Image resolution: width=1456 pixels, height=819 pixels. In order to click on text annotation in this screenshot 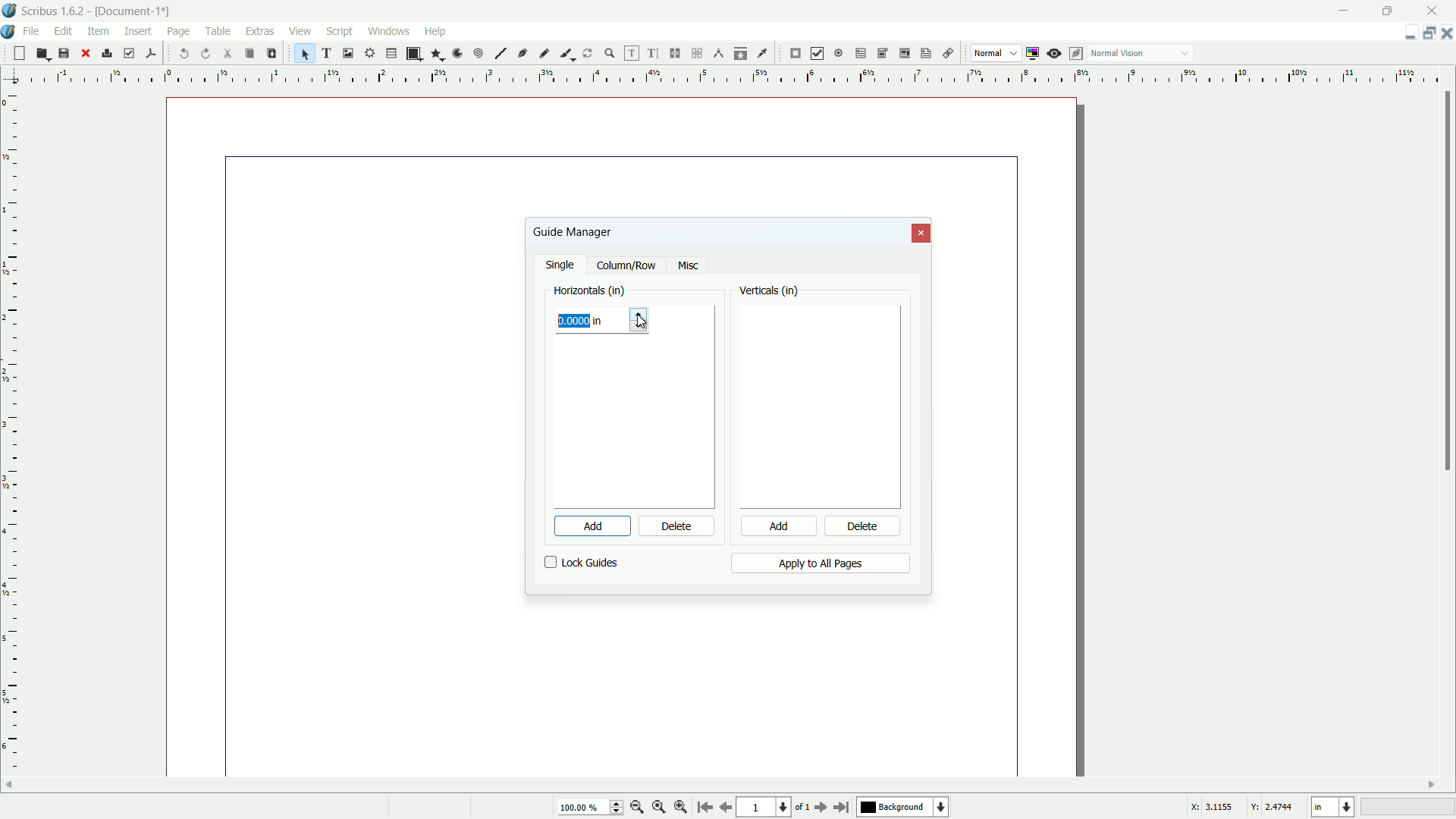, I will do `click(924, 54)`.